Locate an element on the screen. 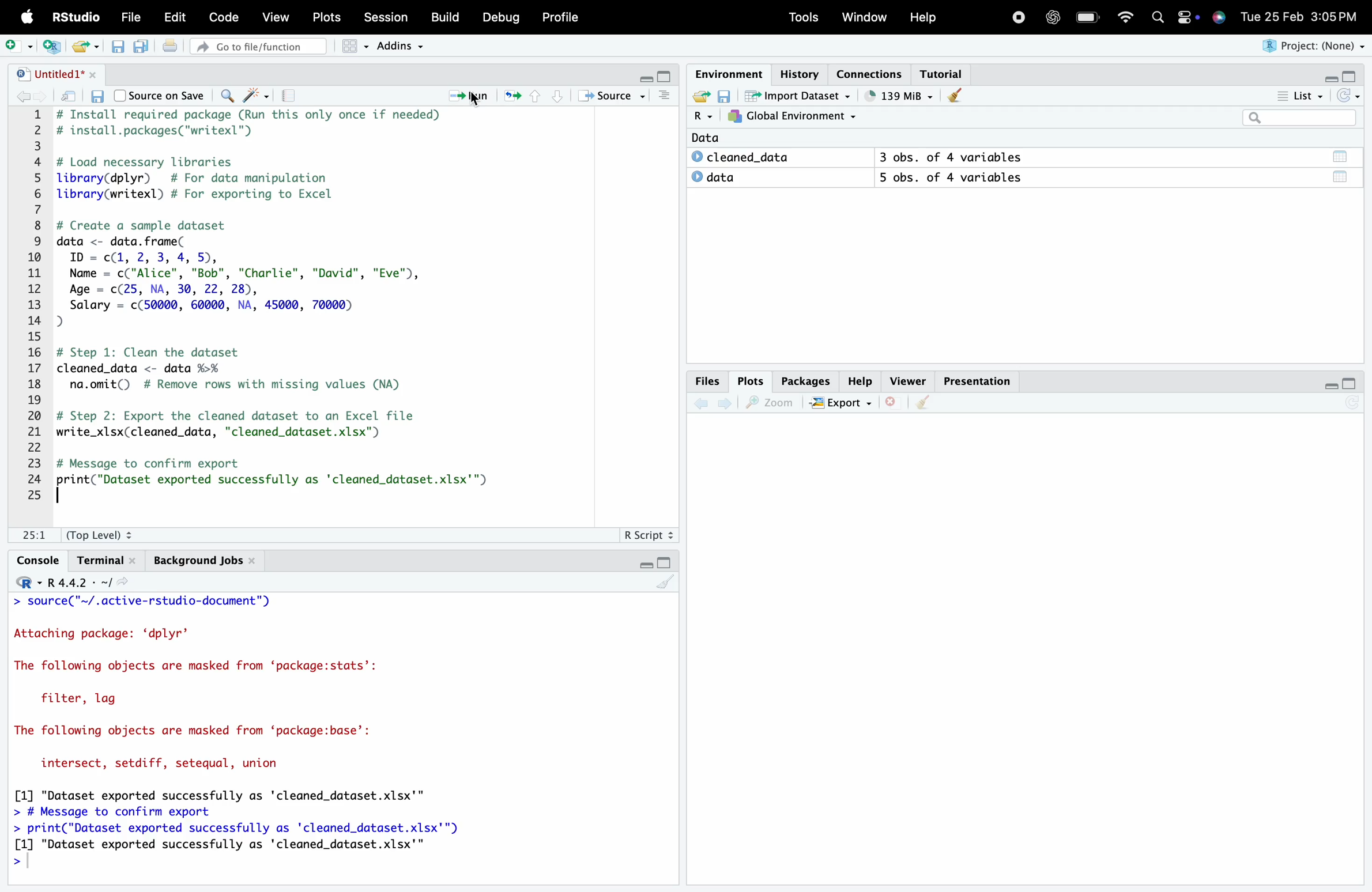  List is located at coordinates (1301, 96).